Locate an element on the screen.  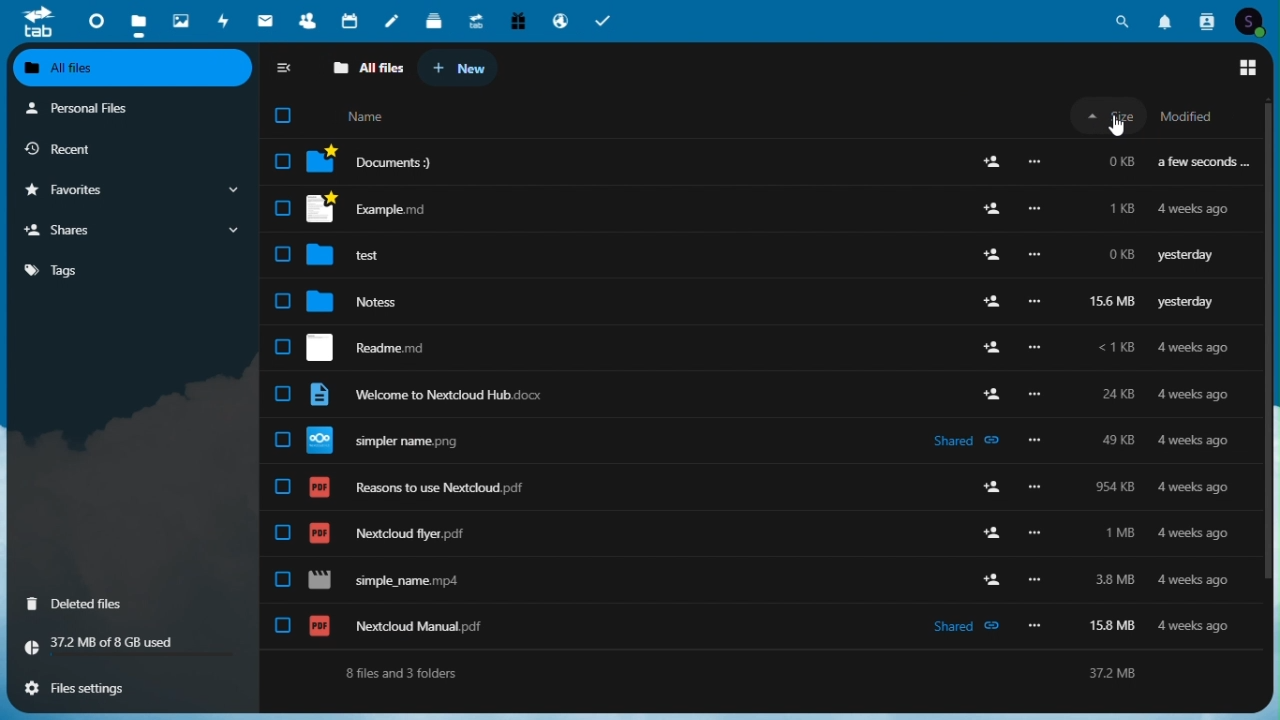
Modified is located at coordinates (1200, 114).